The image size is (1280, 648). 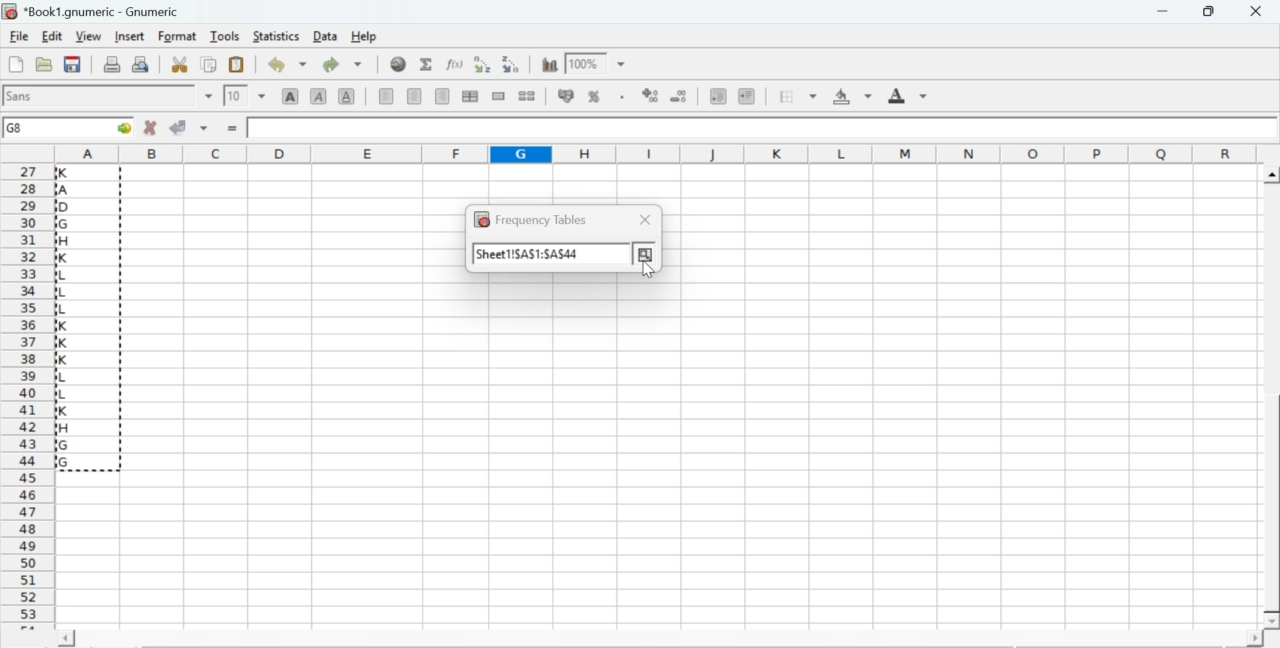 I want to click on print, so click(x=112, y=63).